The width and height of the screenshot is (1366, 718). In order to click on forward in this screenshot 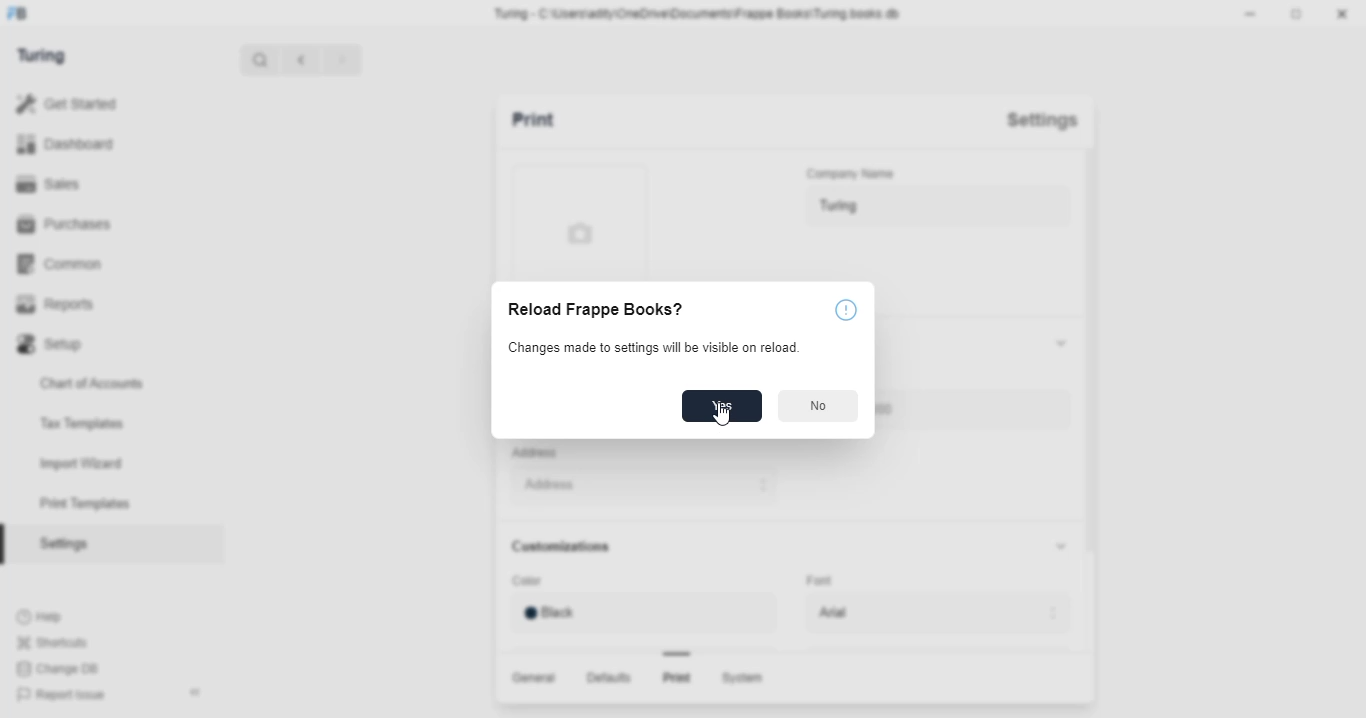, I will do `click(341, 61)`.